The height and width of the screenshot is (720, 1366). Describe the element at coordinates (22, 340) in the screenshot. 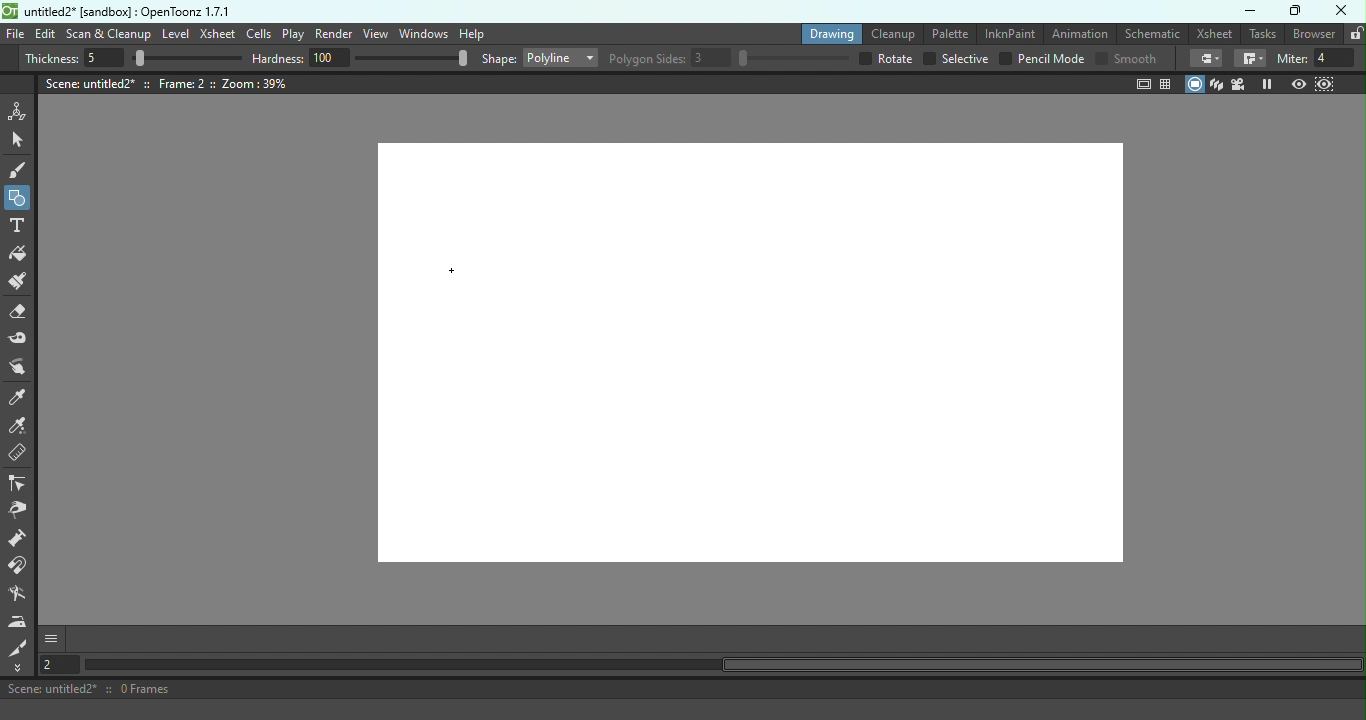

I see `Tape tool` at that location.